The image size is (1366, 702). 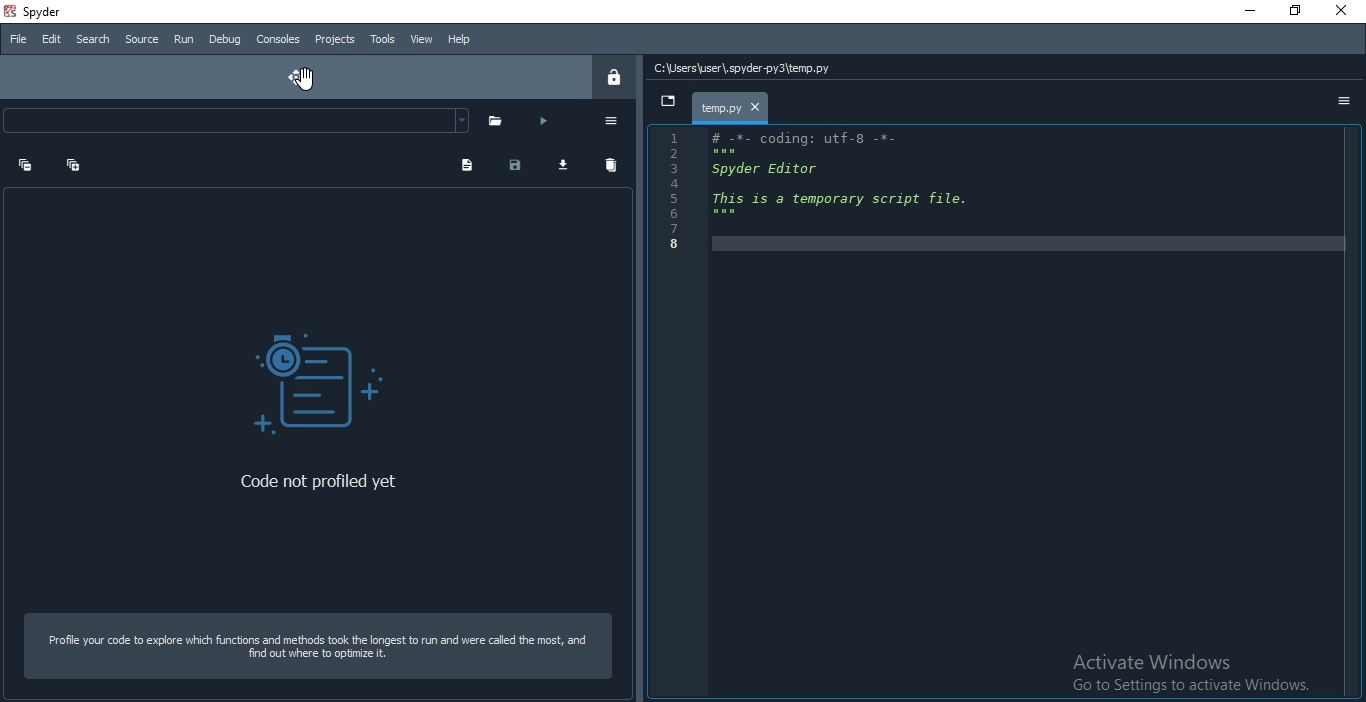 I want to click on save, so click(x=520, y=166).